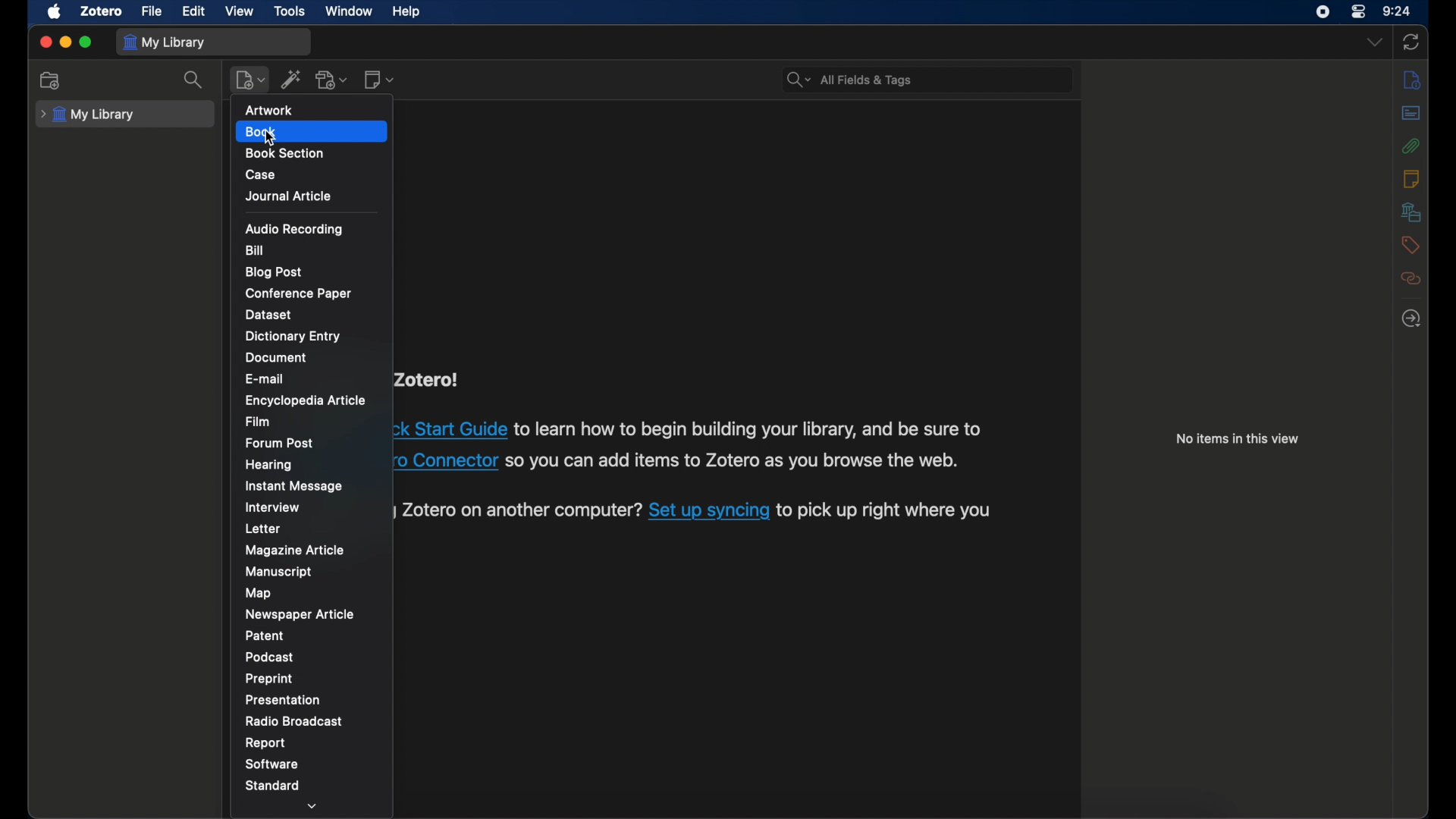  What do you see at coordinates (267, 636) in the screenshot?
I see `patent` at bounding box center [267, 636].